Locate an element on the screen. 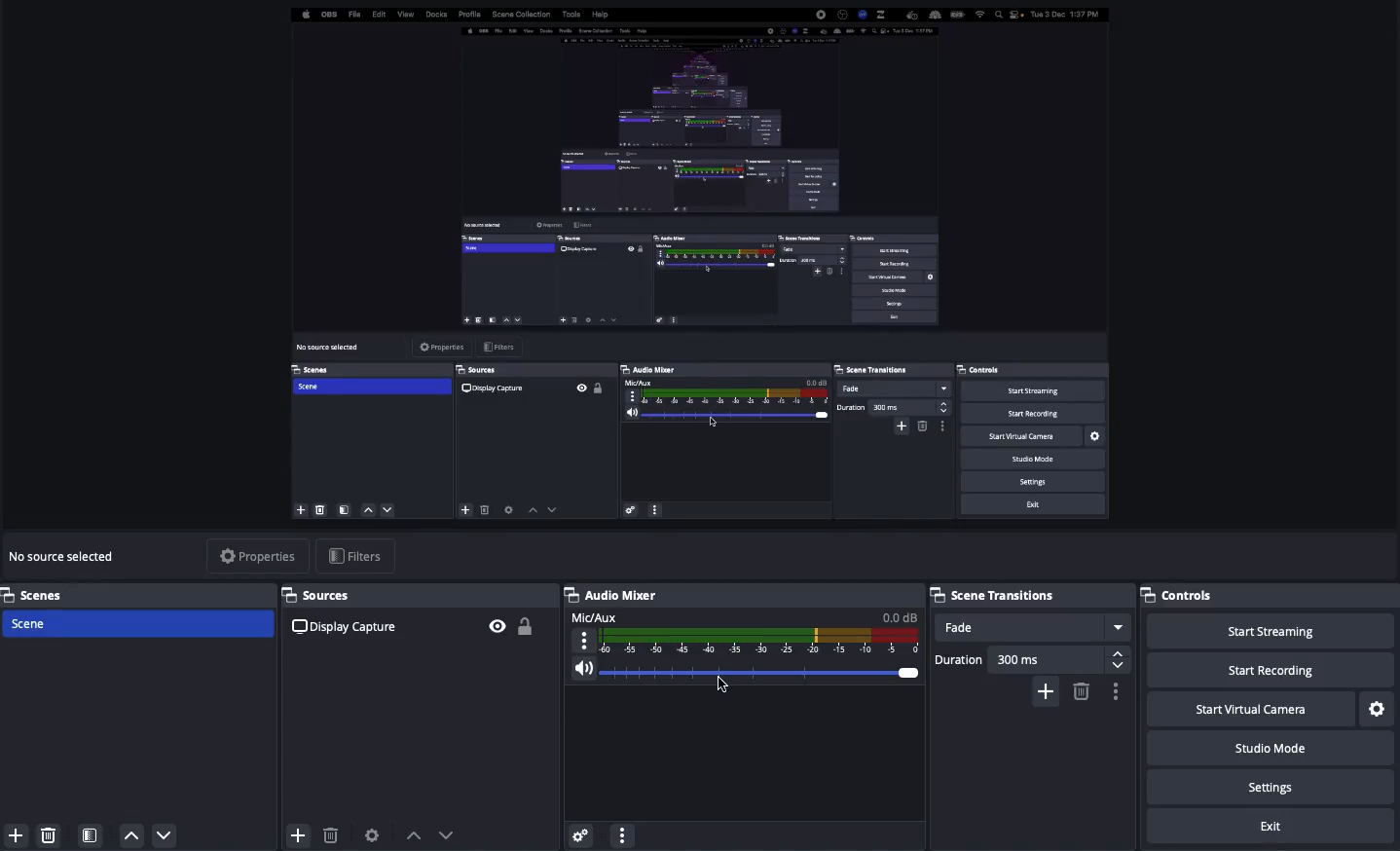 Image resolution: width=1400 pixels, height=851 pixels. Delete is located at coordinates (49, 832).